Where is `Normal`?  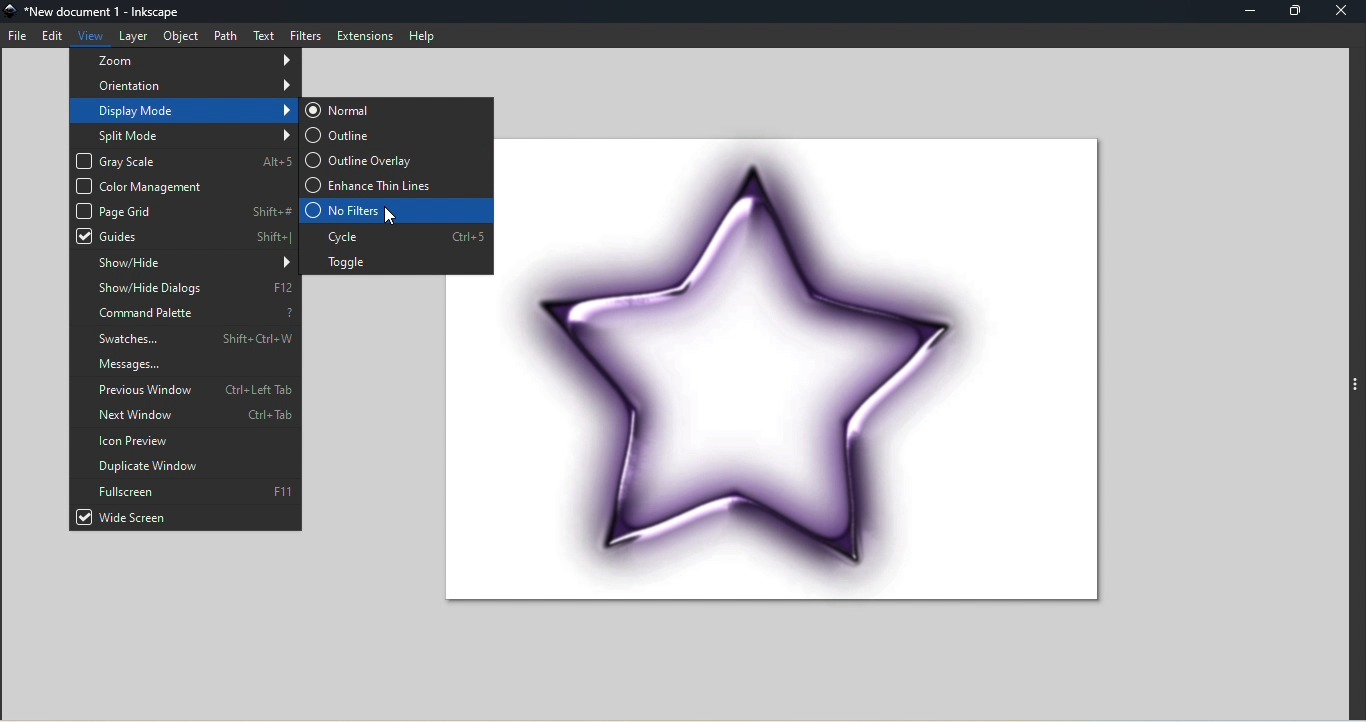
Normal is located at coordinates (397, 109).